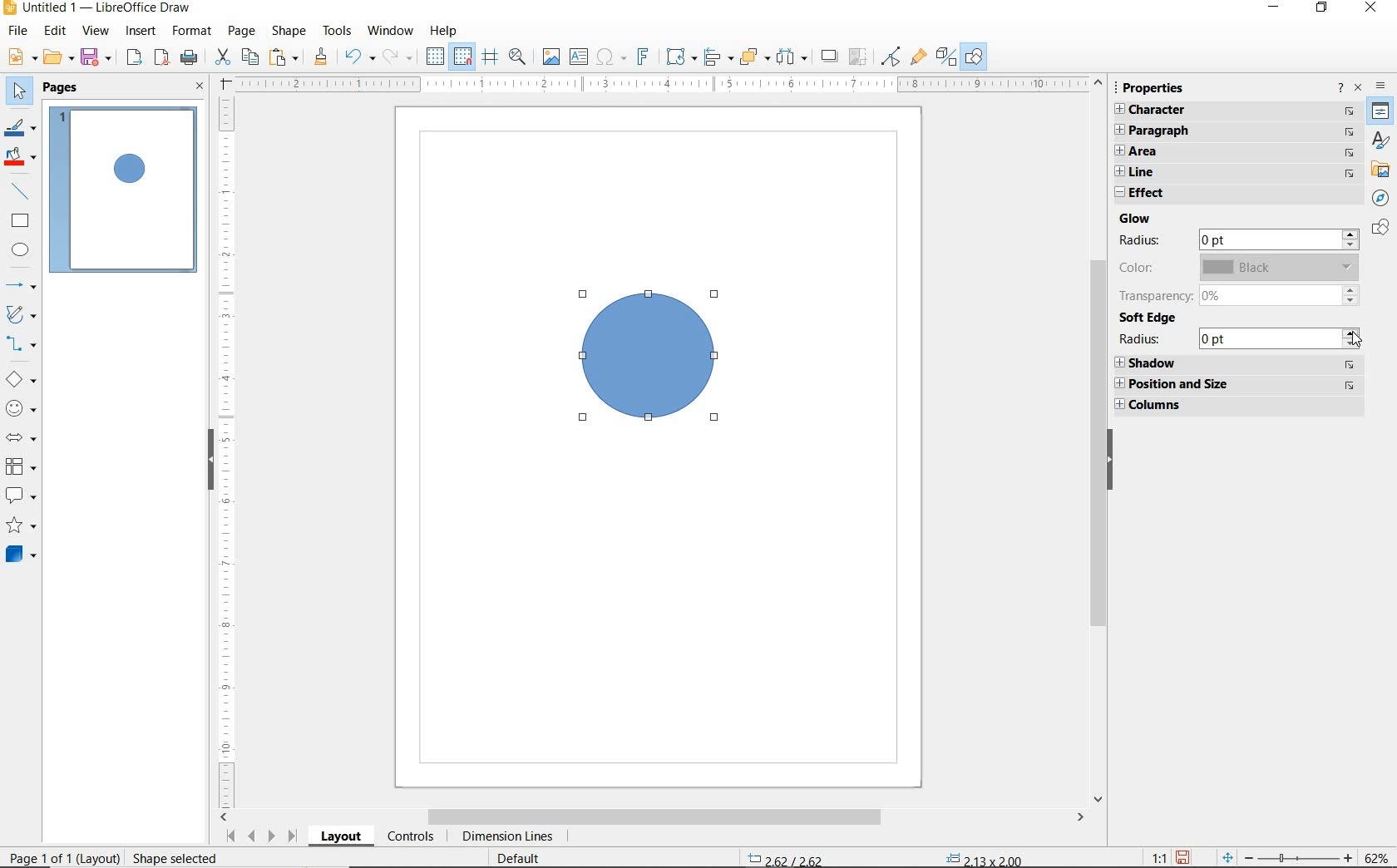 The image size is (1397, 868). Describe the element at coordinates (1358, 90) in the screenshot. I see `CLOSE` at that location.